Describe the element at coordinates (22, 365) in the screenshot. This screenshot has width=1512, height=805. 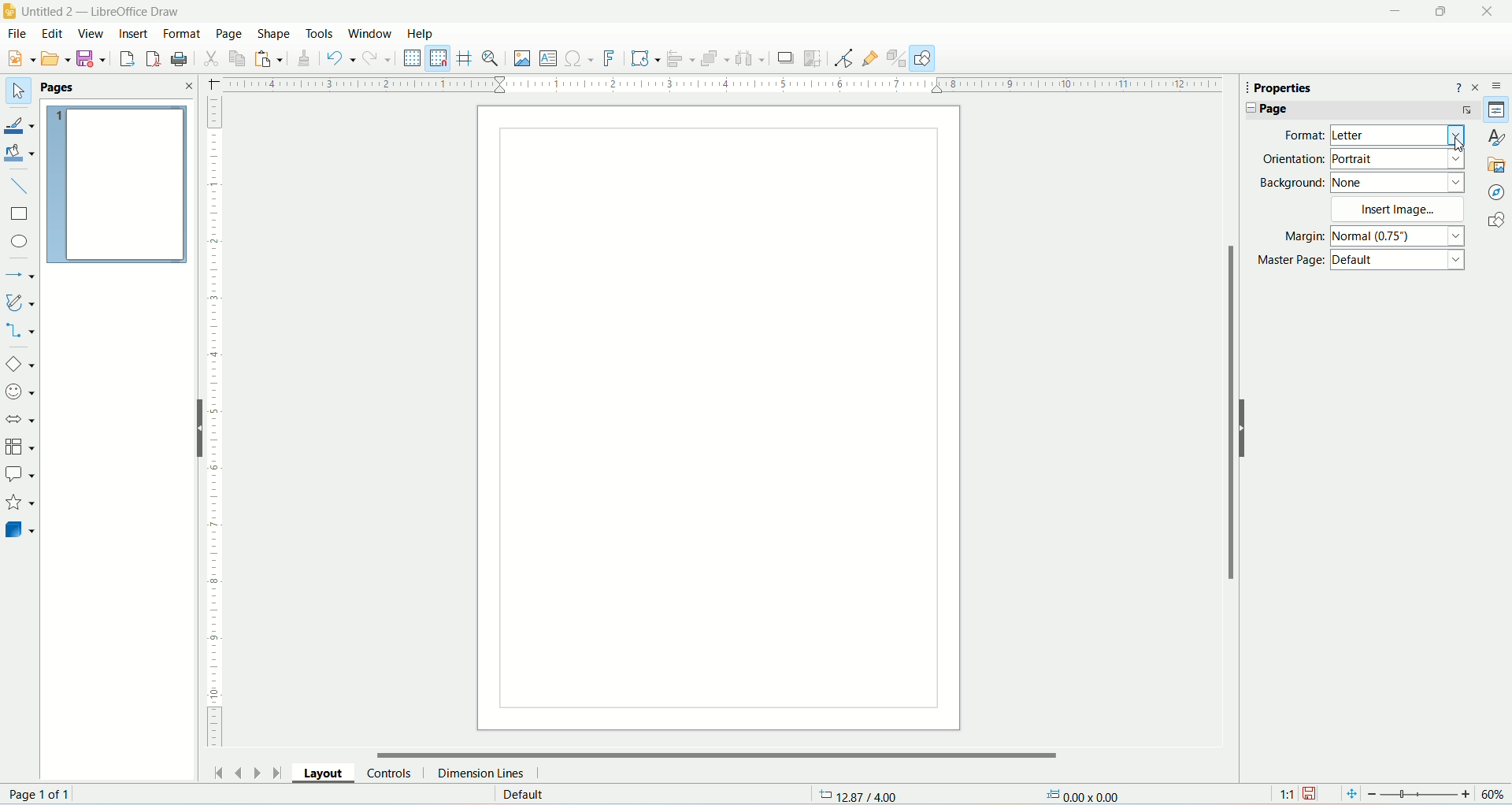
I see `basic shapes` at that location.